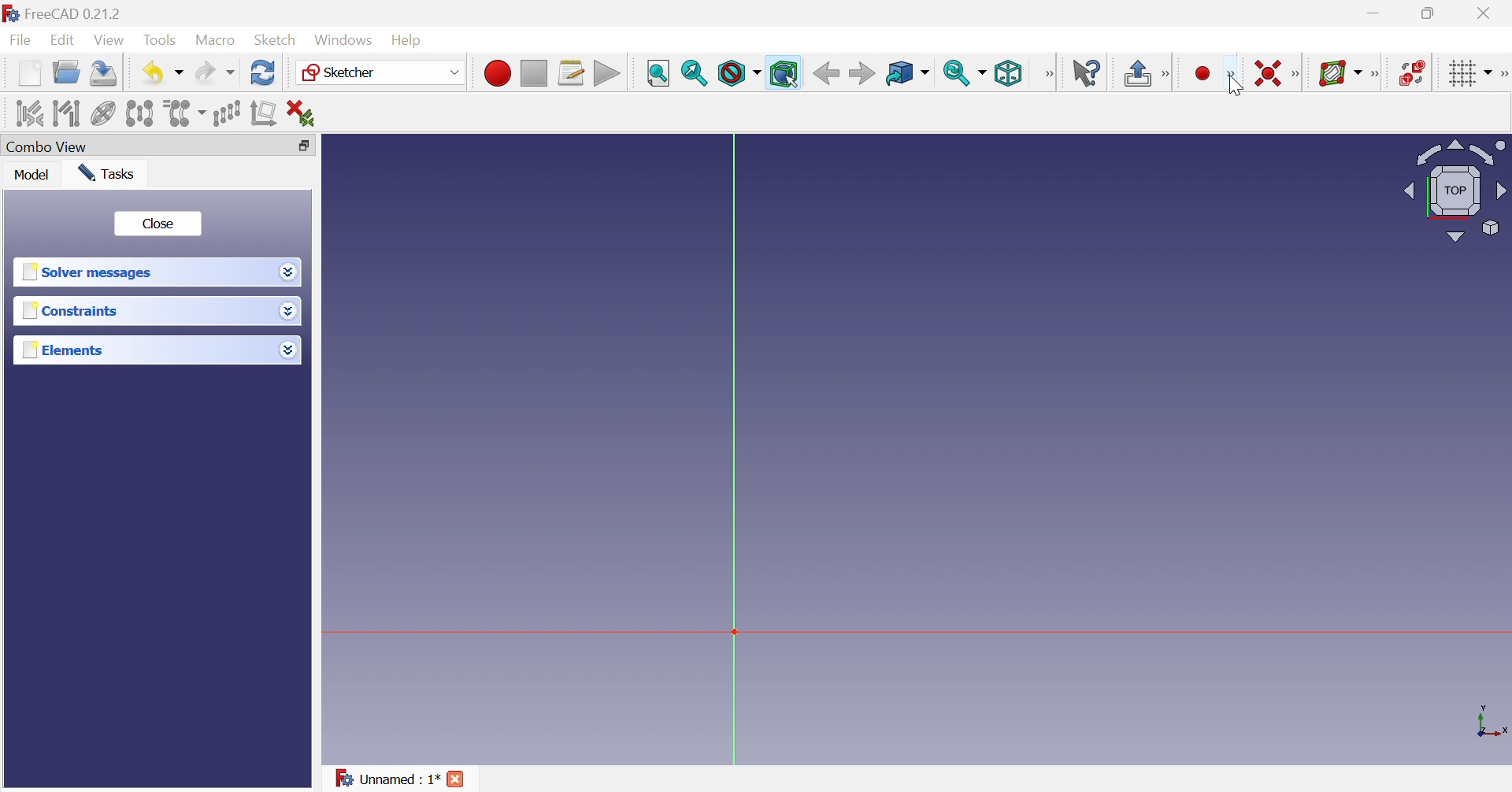 Image resolution: width=1512 pixels, height=792 pixels. What do you see at coordinates (343, 41) in the screenshot?
I see `Windows` at bounding box center [343, 41].